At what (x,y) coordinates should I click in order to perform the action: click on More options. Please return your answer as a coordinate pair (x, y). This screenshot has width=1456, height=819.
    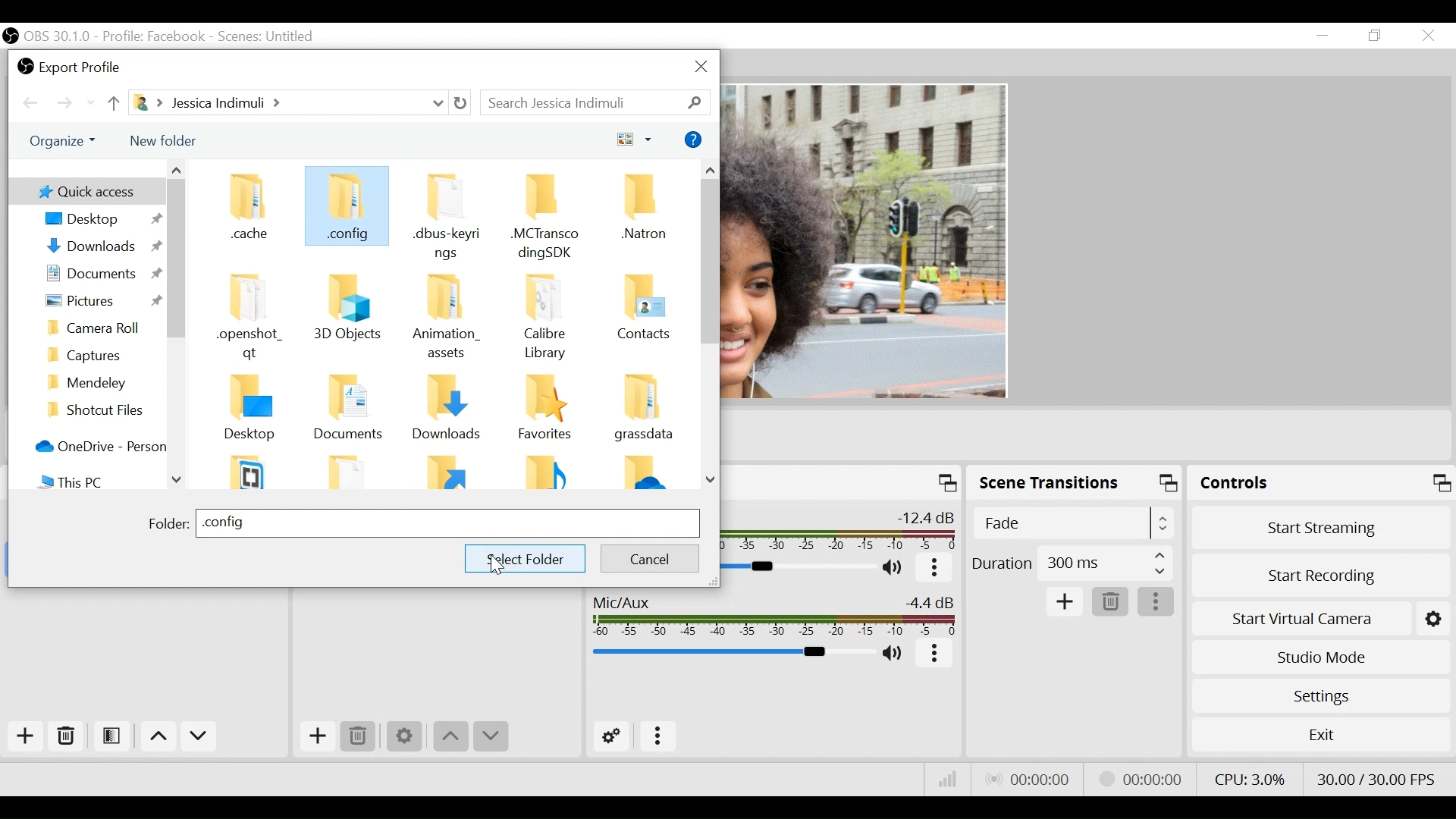
    Looking at the image, I should click on (937, 569).